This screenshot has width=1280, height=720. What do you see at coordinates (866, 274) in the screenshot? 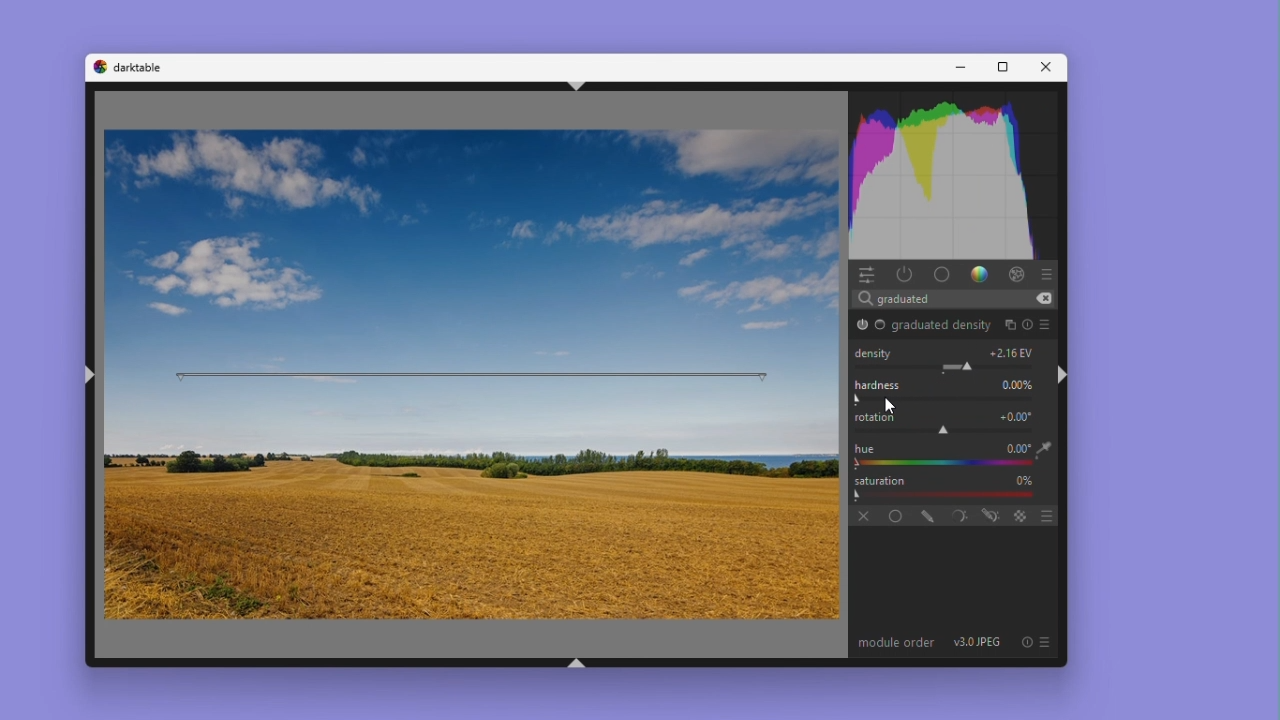
I see `Quick access` at bounding box center [866, 274].